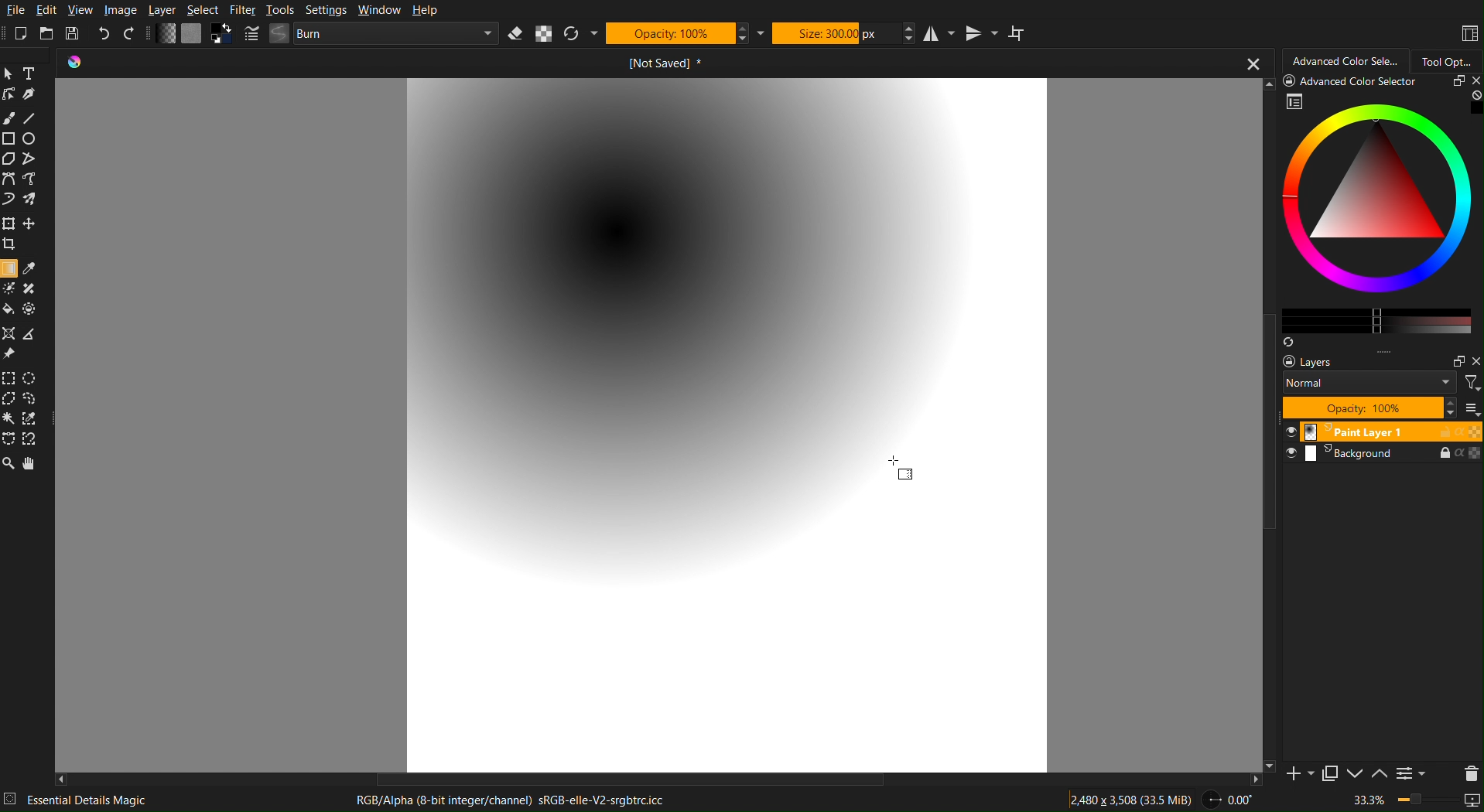  Describe the element at coordinates (1418, 802) in the screenshot. I see `Zoom` at that location.